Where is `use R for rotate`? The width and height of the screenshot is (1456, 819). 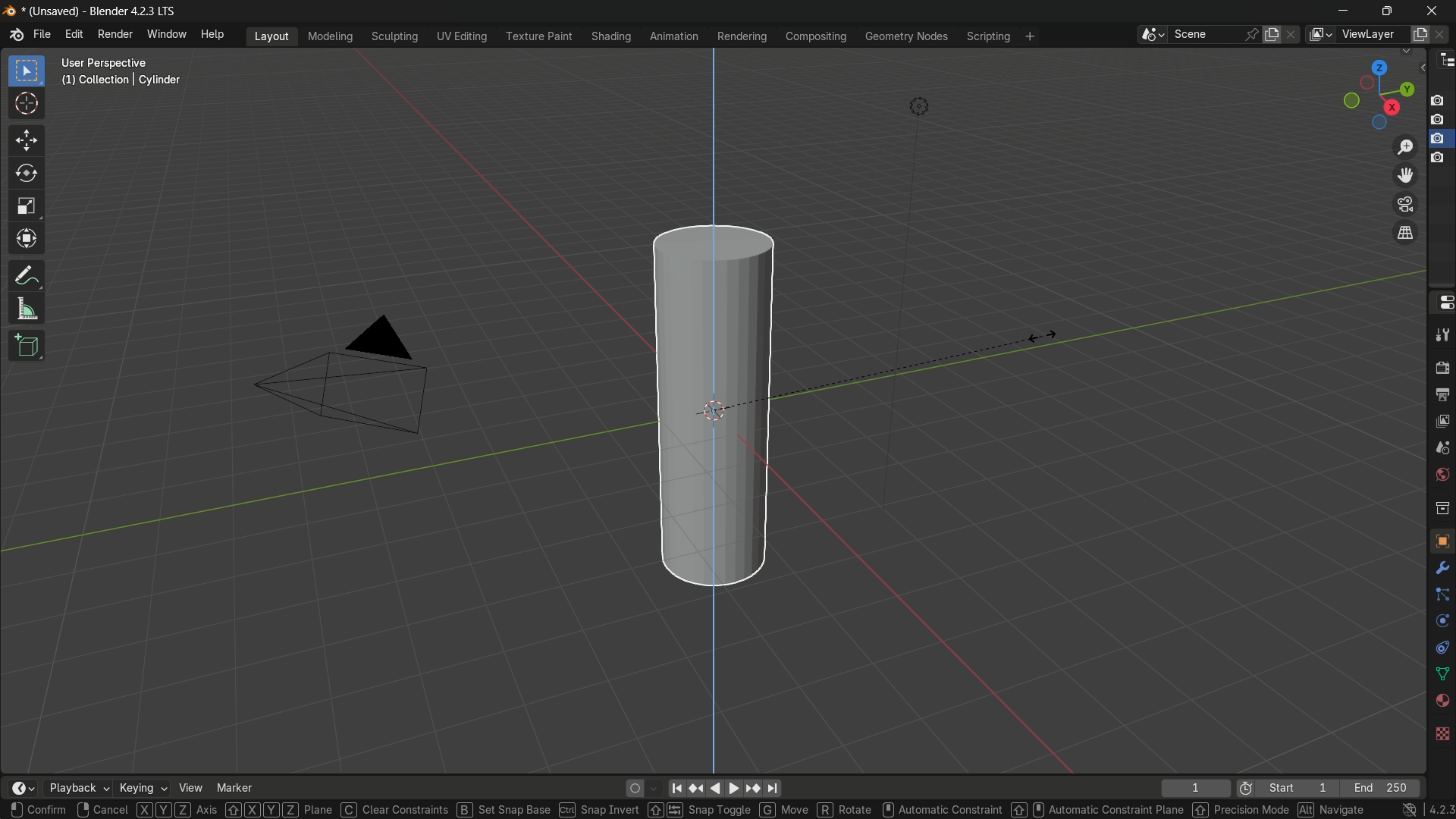 use R for rotate is located at coordinates (845, 810).